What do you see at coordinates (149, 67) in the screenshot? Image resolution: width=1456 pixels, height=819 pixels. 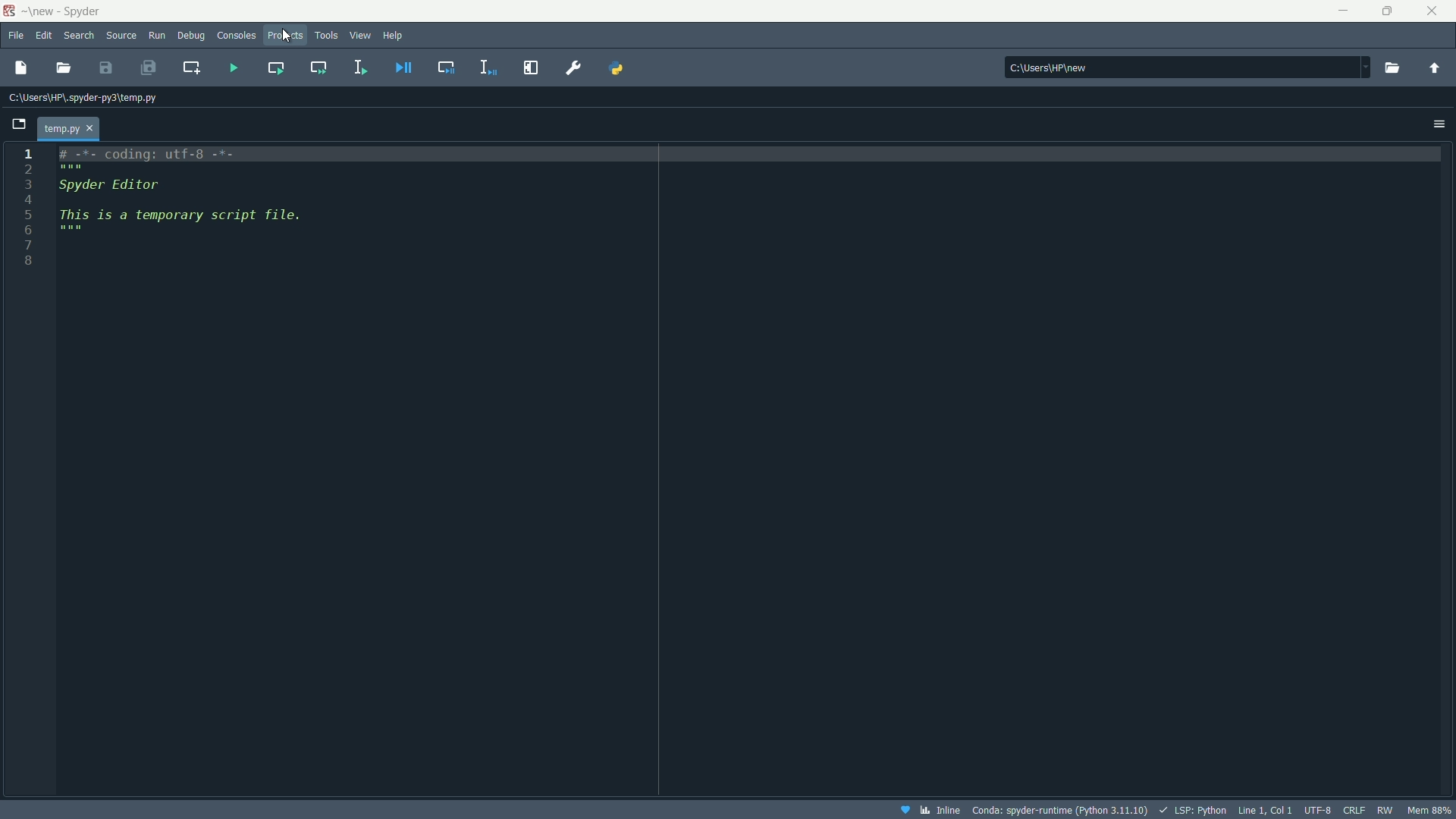 I see `Save all files ` at bounding box center [149, 67].